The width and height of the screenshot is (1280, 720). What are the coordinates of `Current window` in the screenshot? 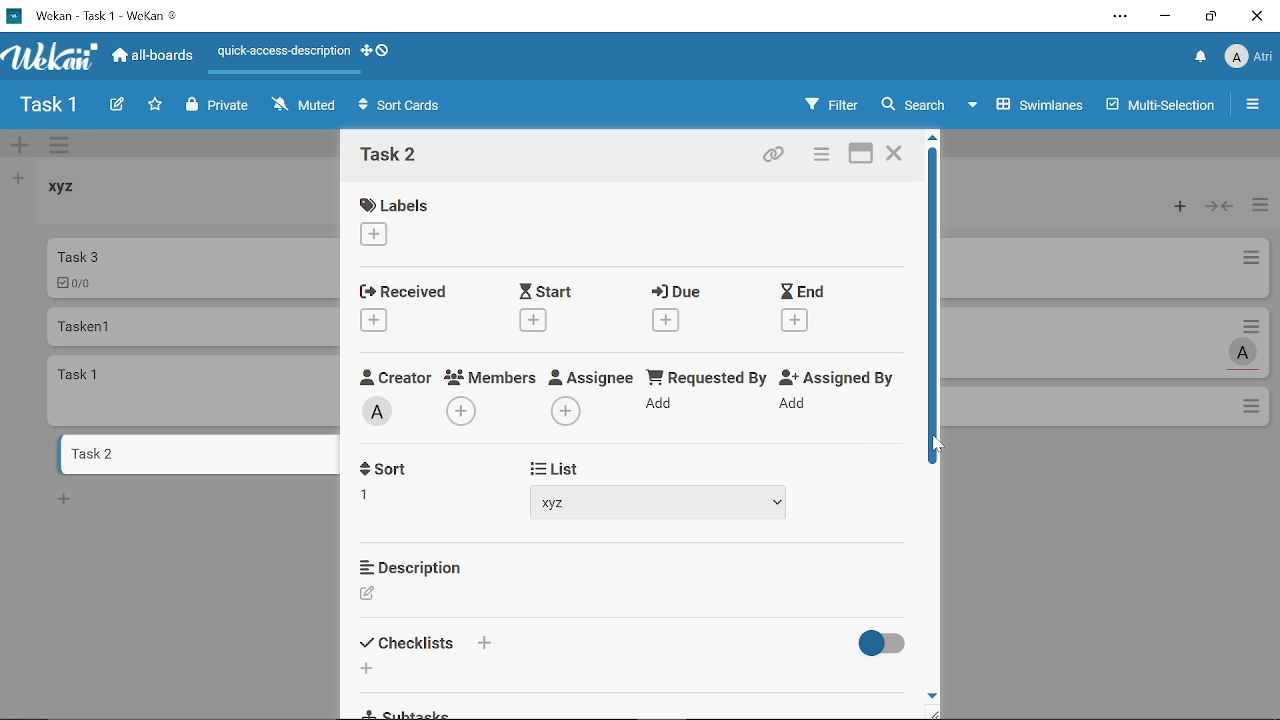 It's located at (92, 14).